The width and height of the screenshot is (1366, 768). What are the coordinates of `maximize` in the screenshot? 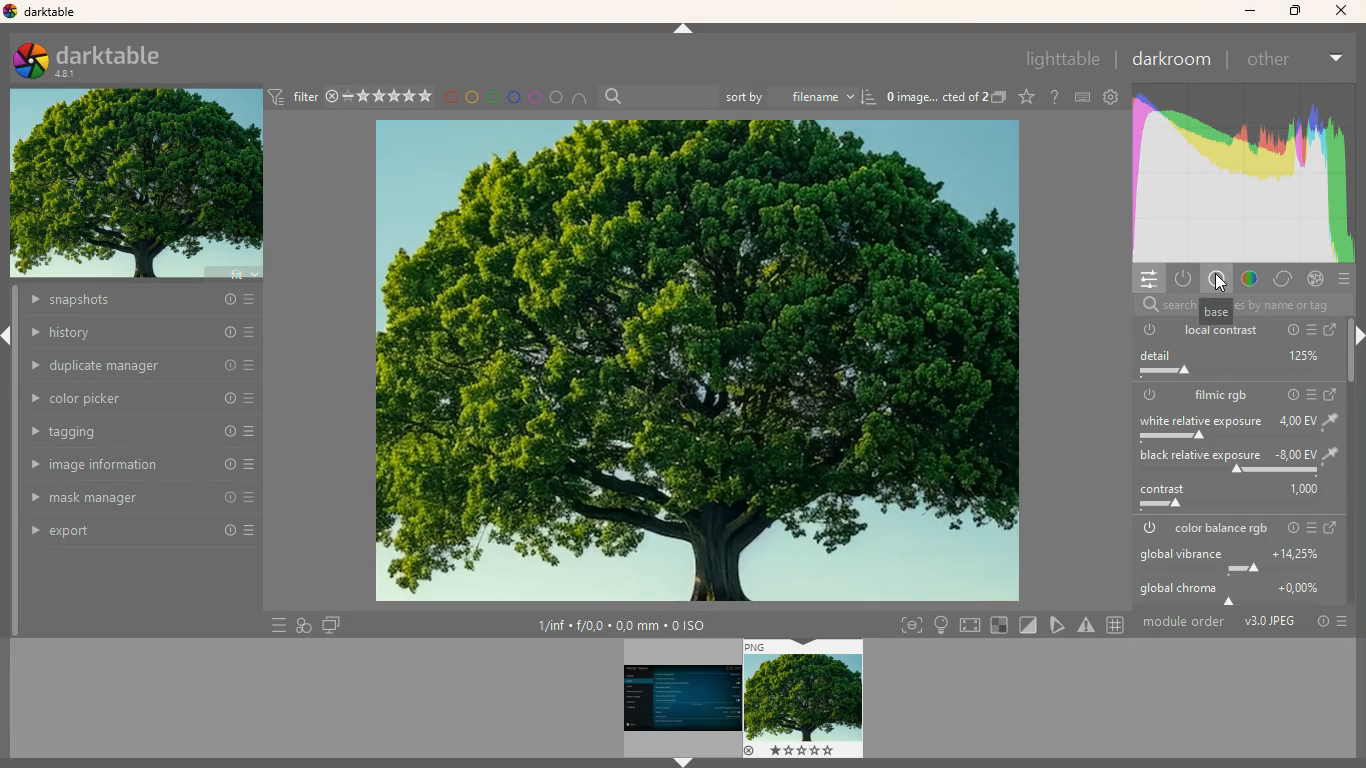 It's located at (1294, 13).